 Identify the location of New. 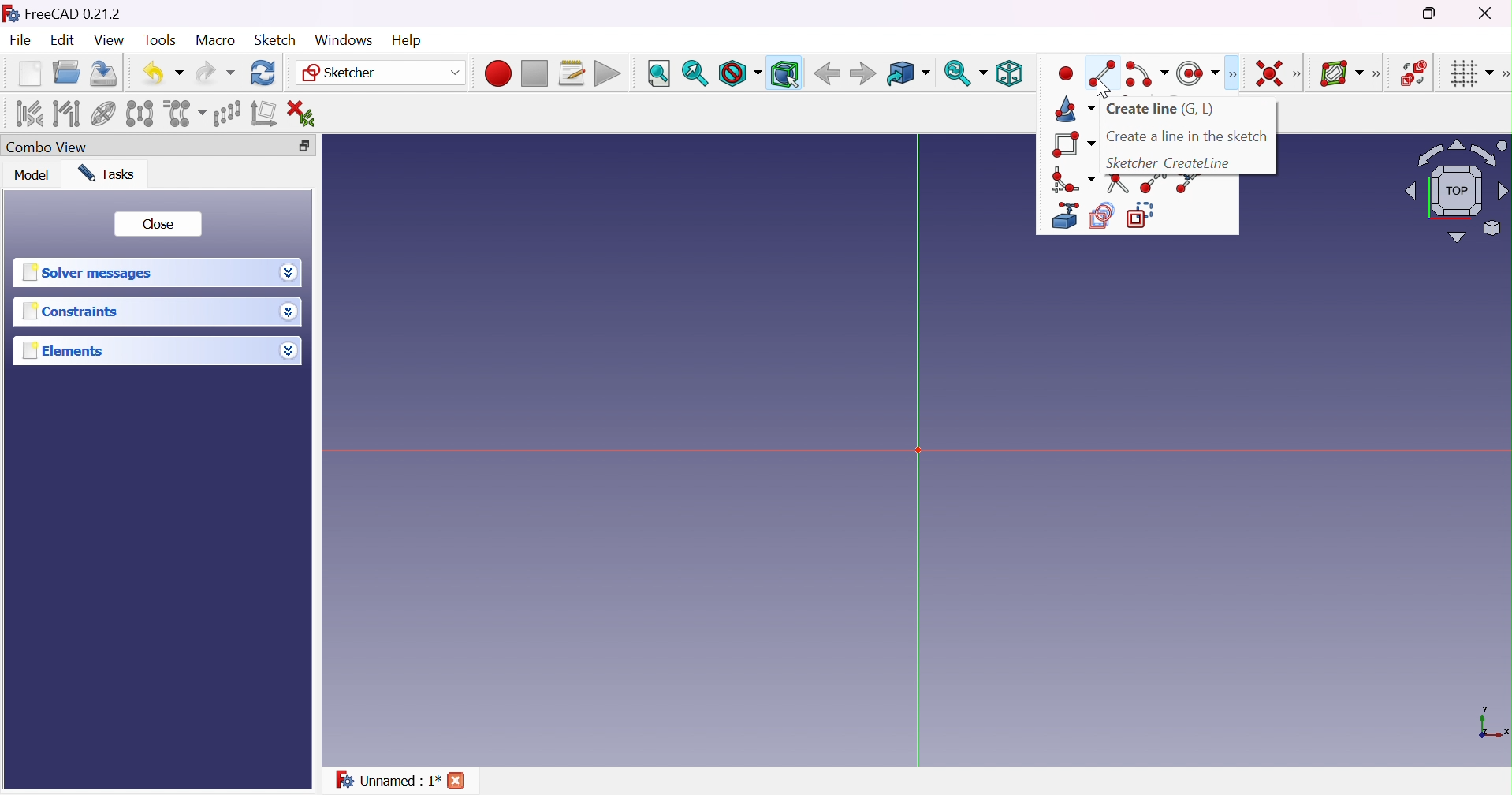
(29, 76).